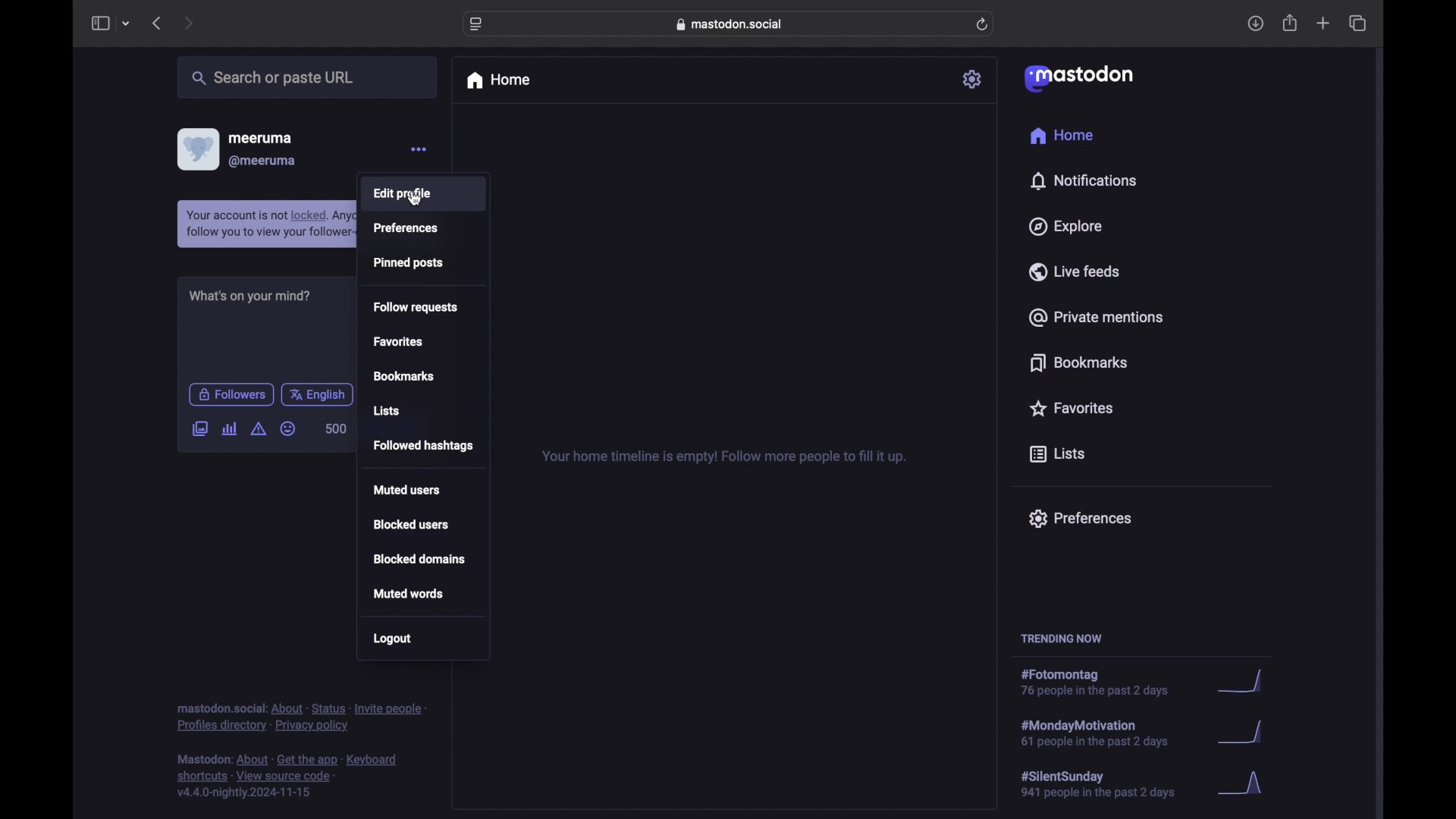  What do you see at coordinates (1096, 317) in the screenshot?
I see `private mentions` at bounding box center [1096, 317].